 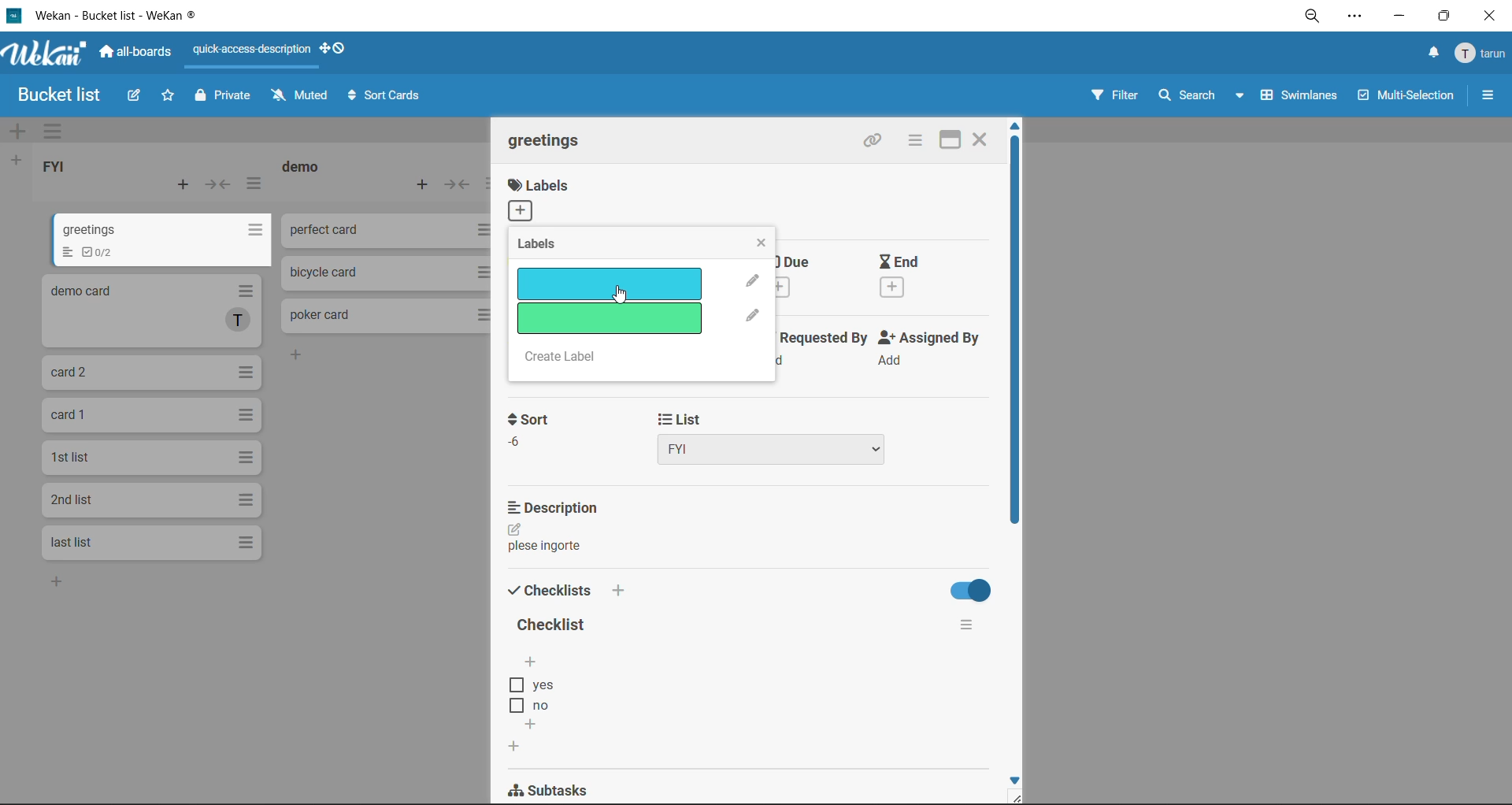 What do you see at coordinates (300, 97) in the screenshot?
I see `muted` at bounding box center [300, 97].